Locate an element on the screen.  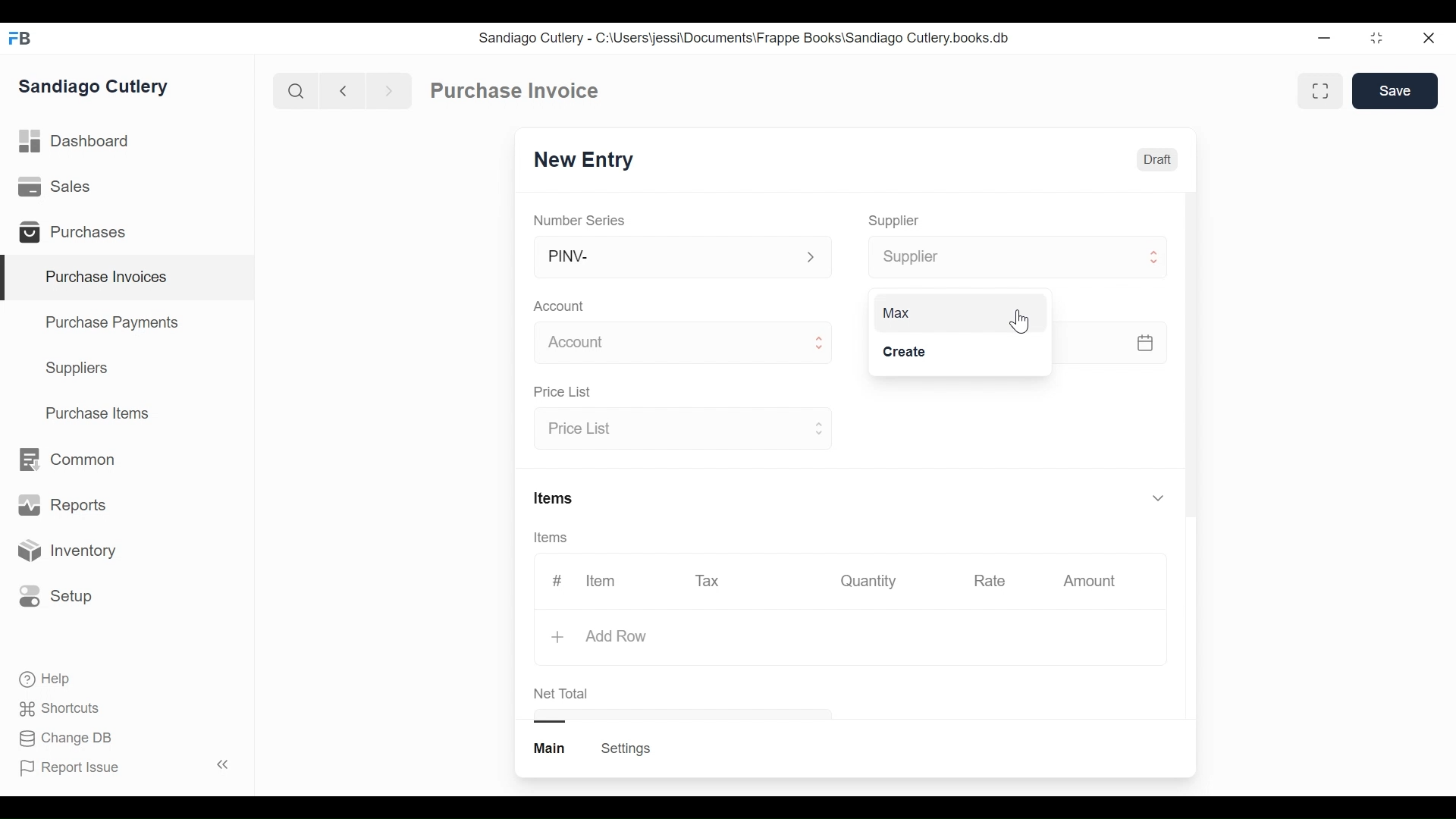
Naviagate back is located at coordinates (344, 89).